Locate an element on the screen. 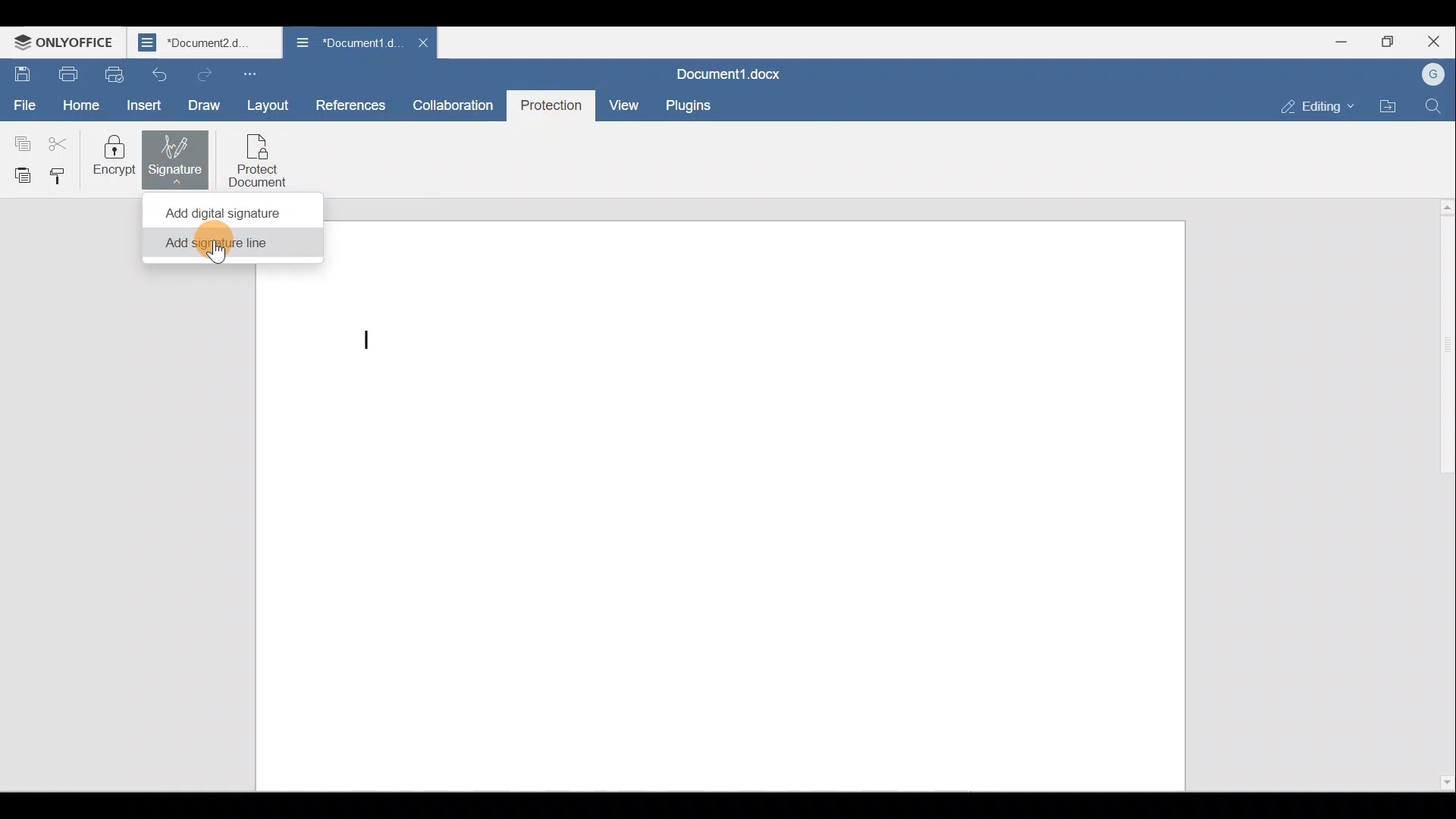 The width and height of the screenshot is (1456, 819). Close is located at coordinates (1433, 42).